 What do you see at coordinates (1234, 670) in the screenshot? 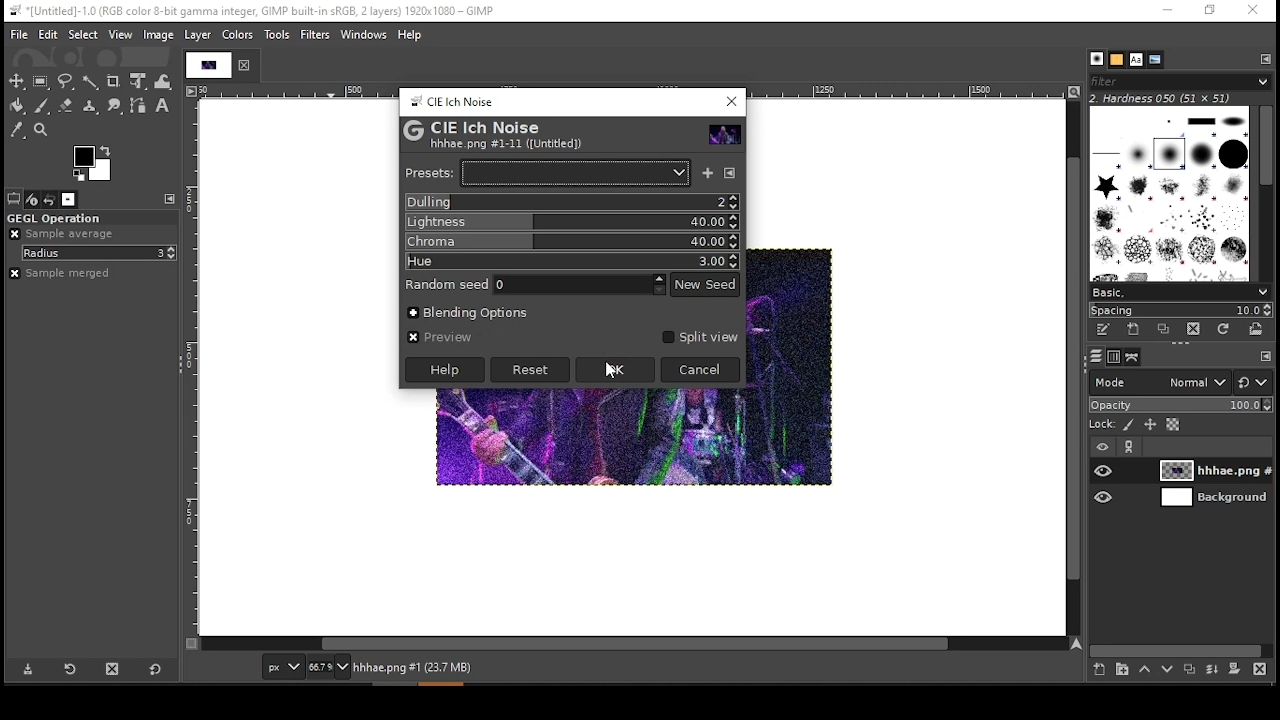
I see `add a mask` at bounding box center [1234, 670].